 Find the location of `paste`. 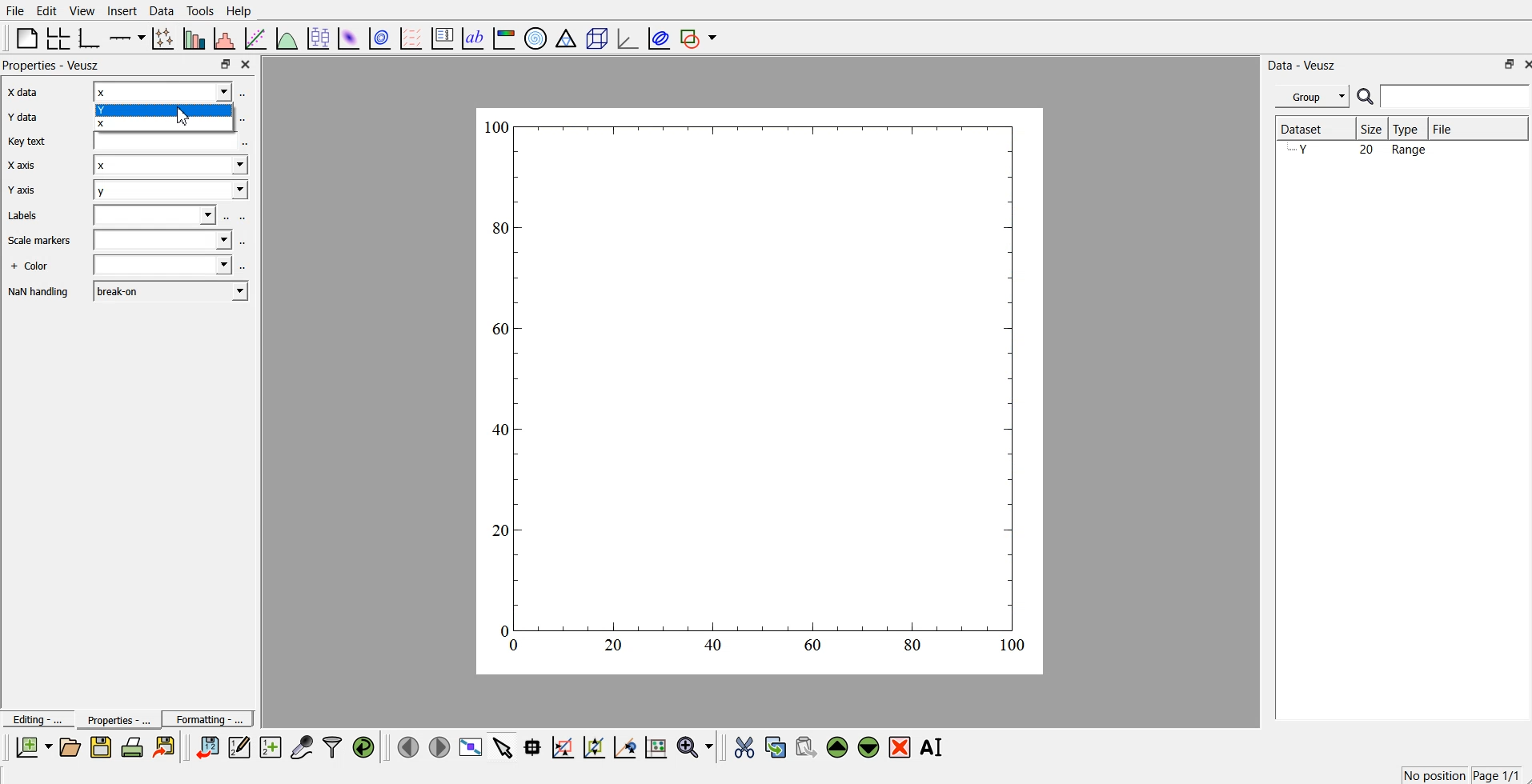

paste is located at coordinates (807, 745).